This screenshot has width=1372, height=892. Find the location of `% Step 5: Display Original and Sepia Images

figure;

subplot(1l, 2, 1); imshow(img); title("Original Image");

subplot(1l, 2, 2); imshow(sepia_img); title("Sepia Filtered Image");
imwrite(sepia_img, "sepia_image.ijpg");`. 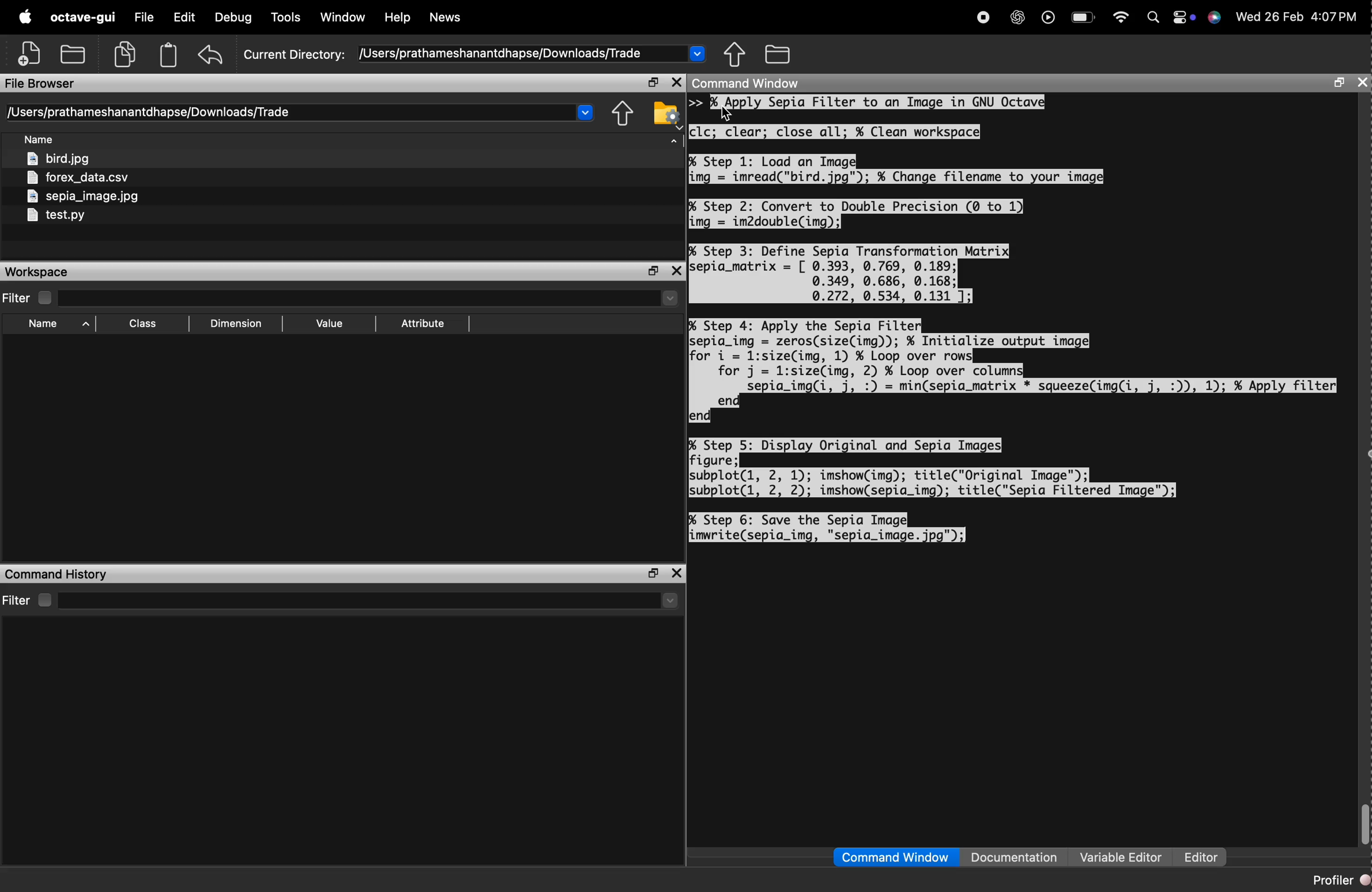

% Step 5: Display Original and Sepia Images

figure;

subplot(1l, 2, 1); imshow(img); title("Original Image");

subplot(1l, 2, 2); imshow(sepia_img); title("Sepia Filtered Image");
imwrite(sepia_img, "sepia_image.ijpg"); is located at coordinates (933, 490).